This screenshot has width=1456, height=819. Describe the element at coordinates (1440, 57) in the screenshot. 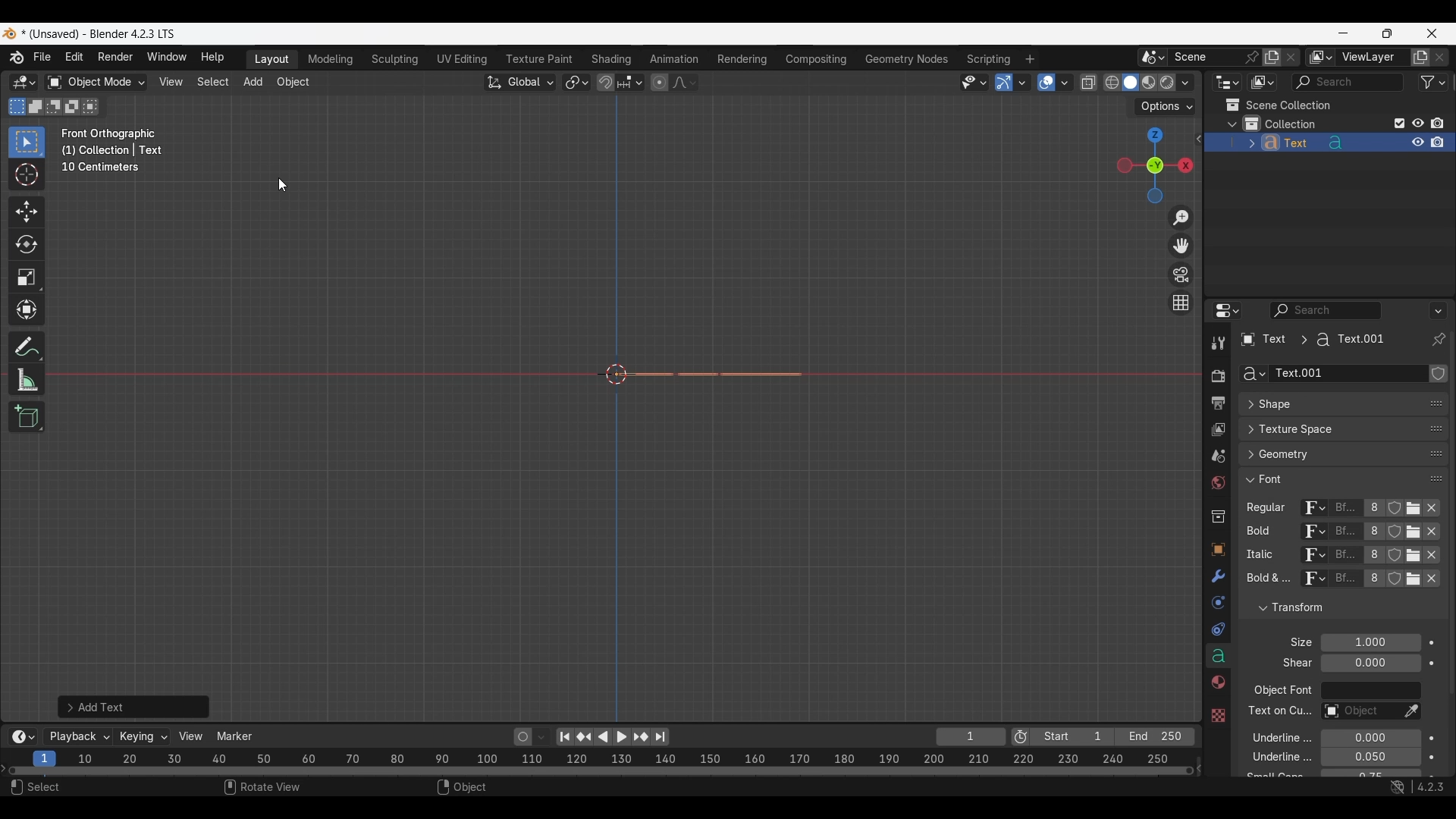

I see `Remove view layer` at that location.